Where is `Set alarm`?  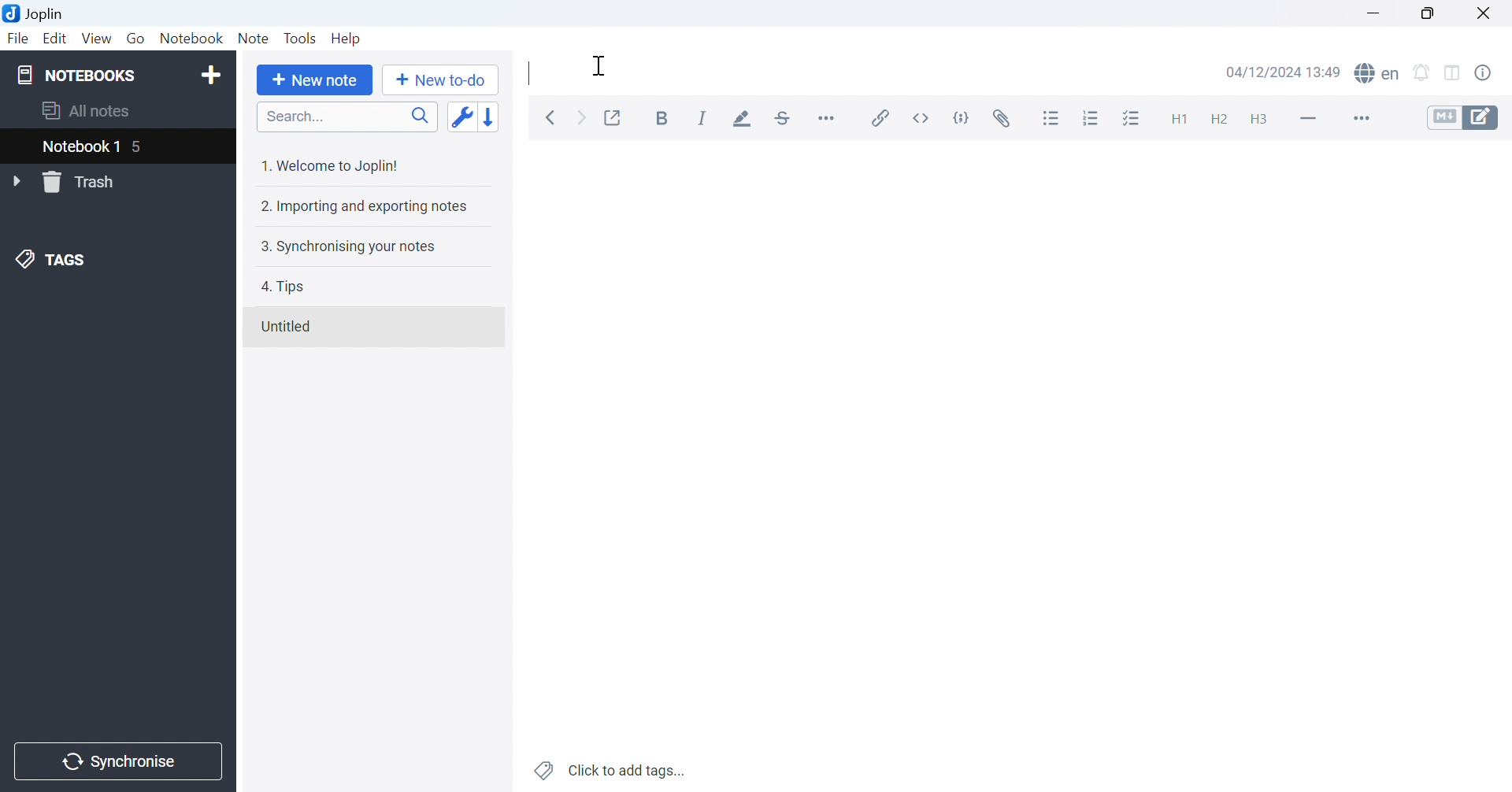 Set alarm is located at coordinates (1421, 72).